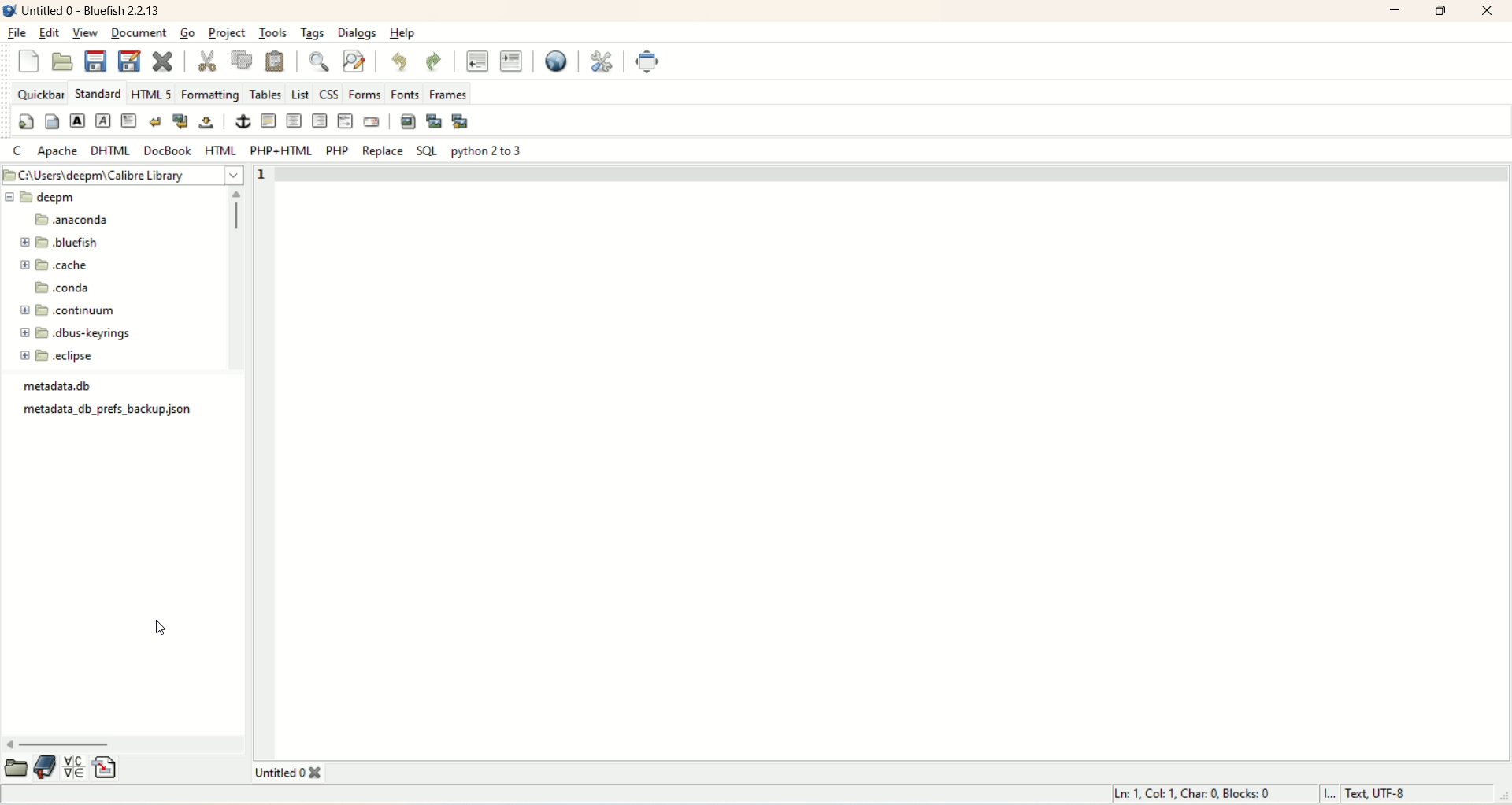 This screenshot has height=805, width=1512. What do you see at coordinates (78, 333) in the screenshot?
I see `dbus` at bounding box center [78, 333].